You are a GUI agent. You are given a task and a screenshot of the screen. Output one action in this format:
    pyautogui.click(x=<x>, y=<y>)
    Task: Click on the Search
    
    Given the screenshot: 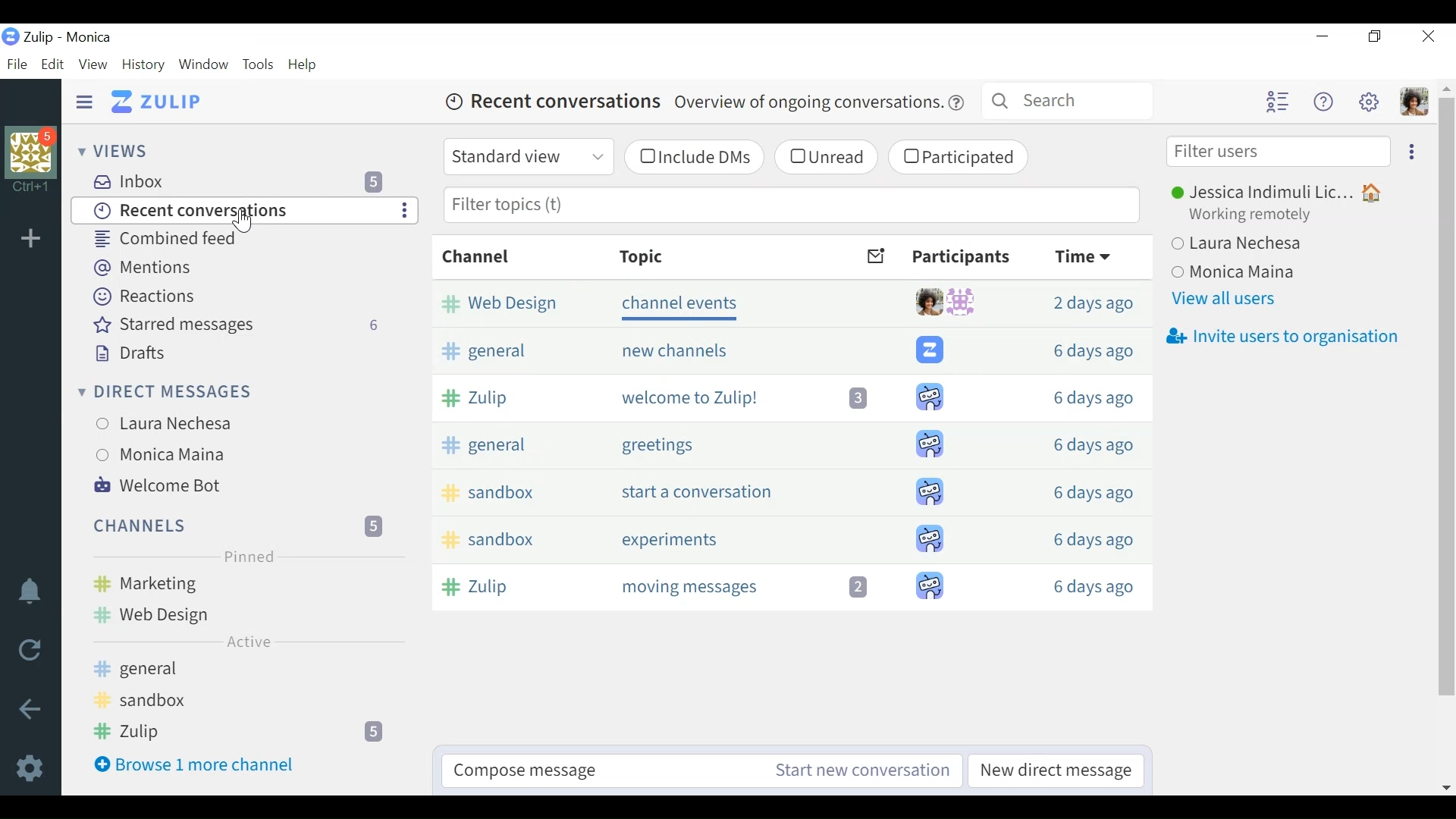 What is the action you would take?
    pyautogui.click(x=1068, y=99)
    